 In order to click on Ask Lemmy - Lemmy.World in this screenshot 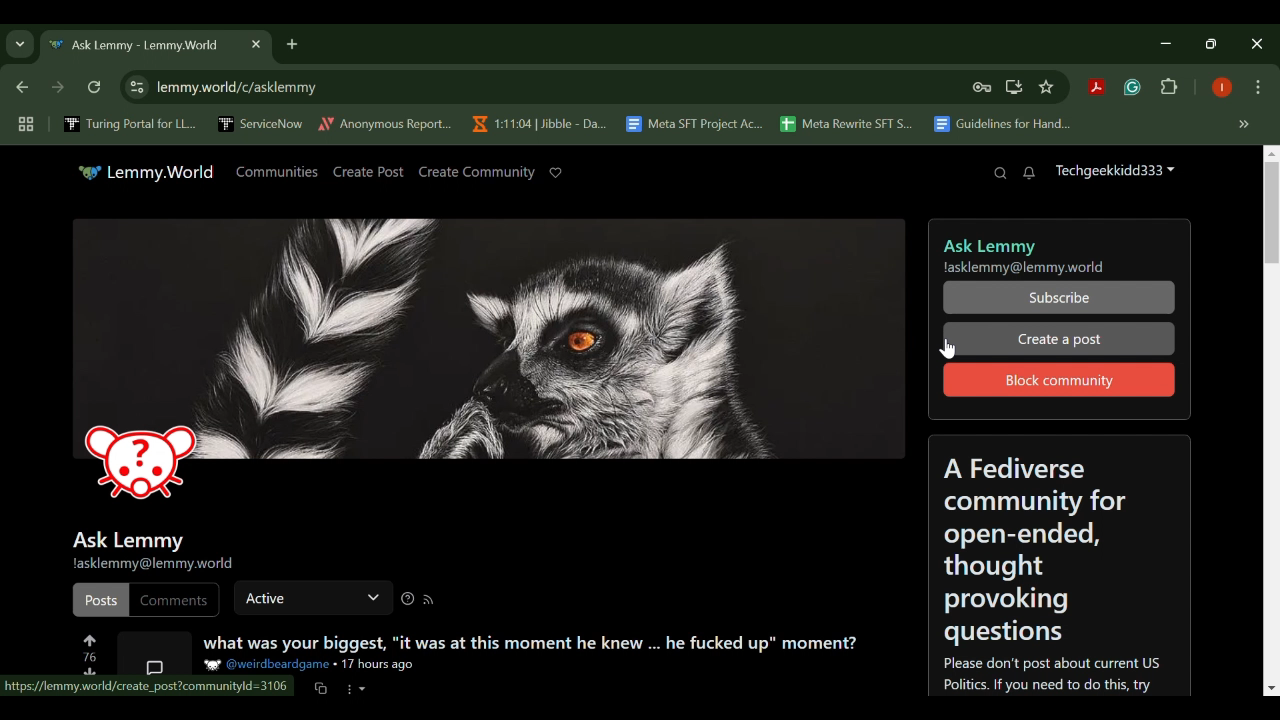, I will do `click(138, 46)`.